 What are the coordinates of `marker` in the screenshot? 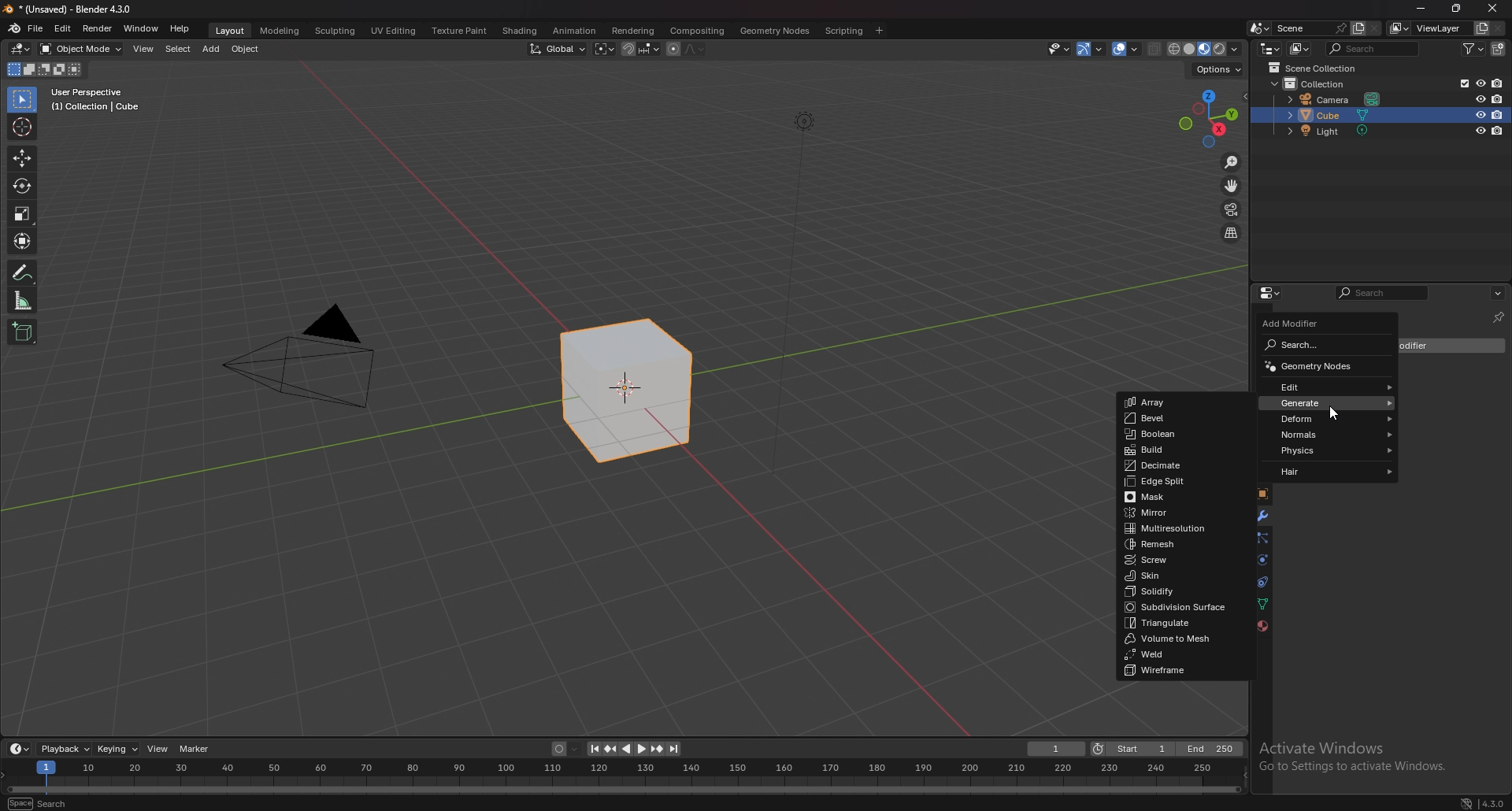 It's located at (196, 750).